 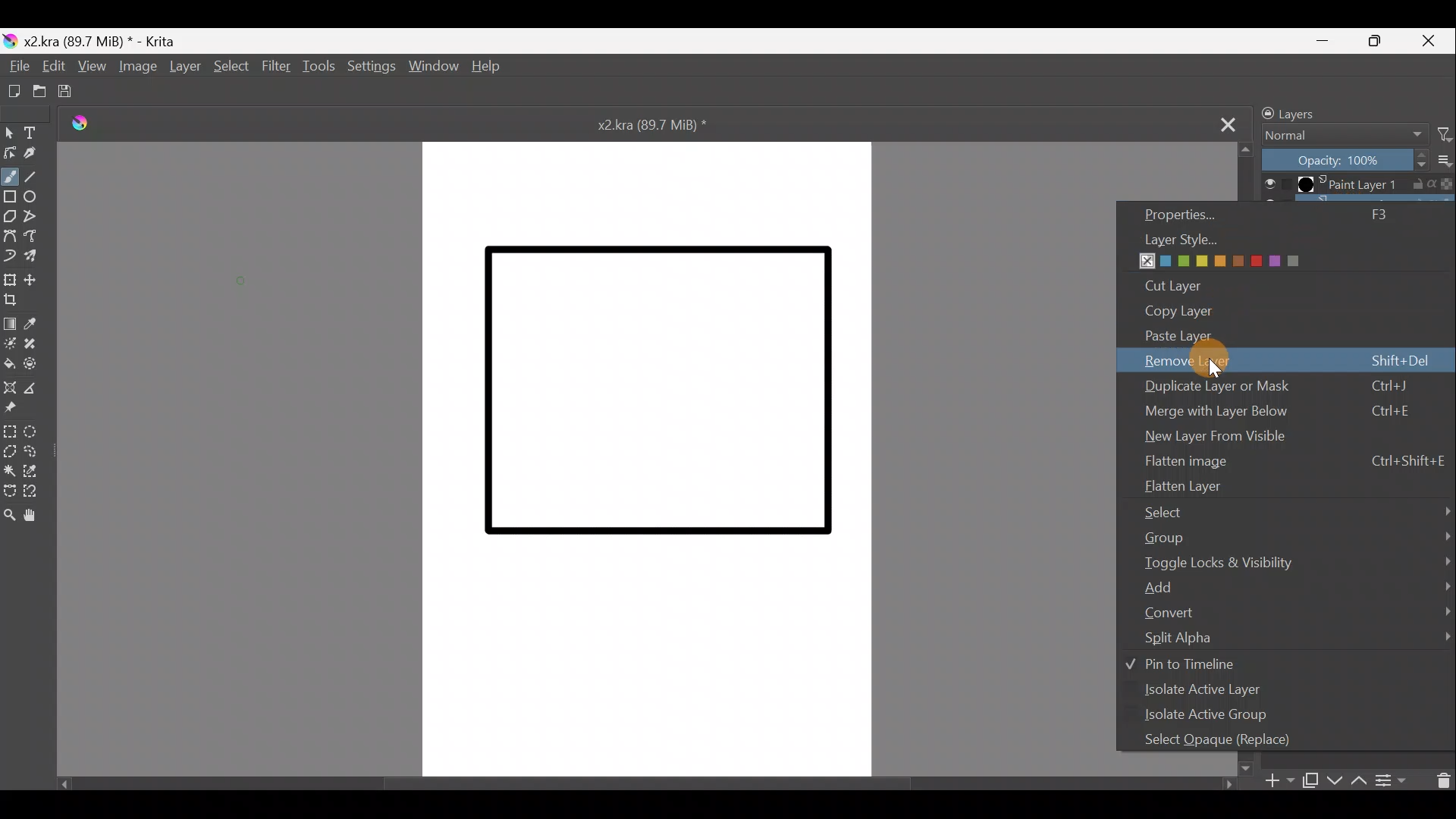 What do you see at coordinates (10, 450) in the screenshot?
I see `Polygonal selection tool` at bounding box center [10, 450].